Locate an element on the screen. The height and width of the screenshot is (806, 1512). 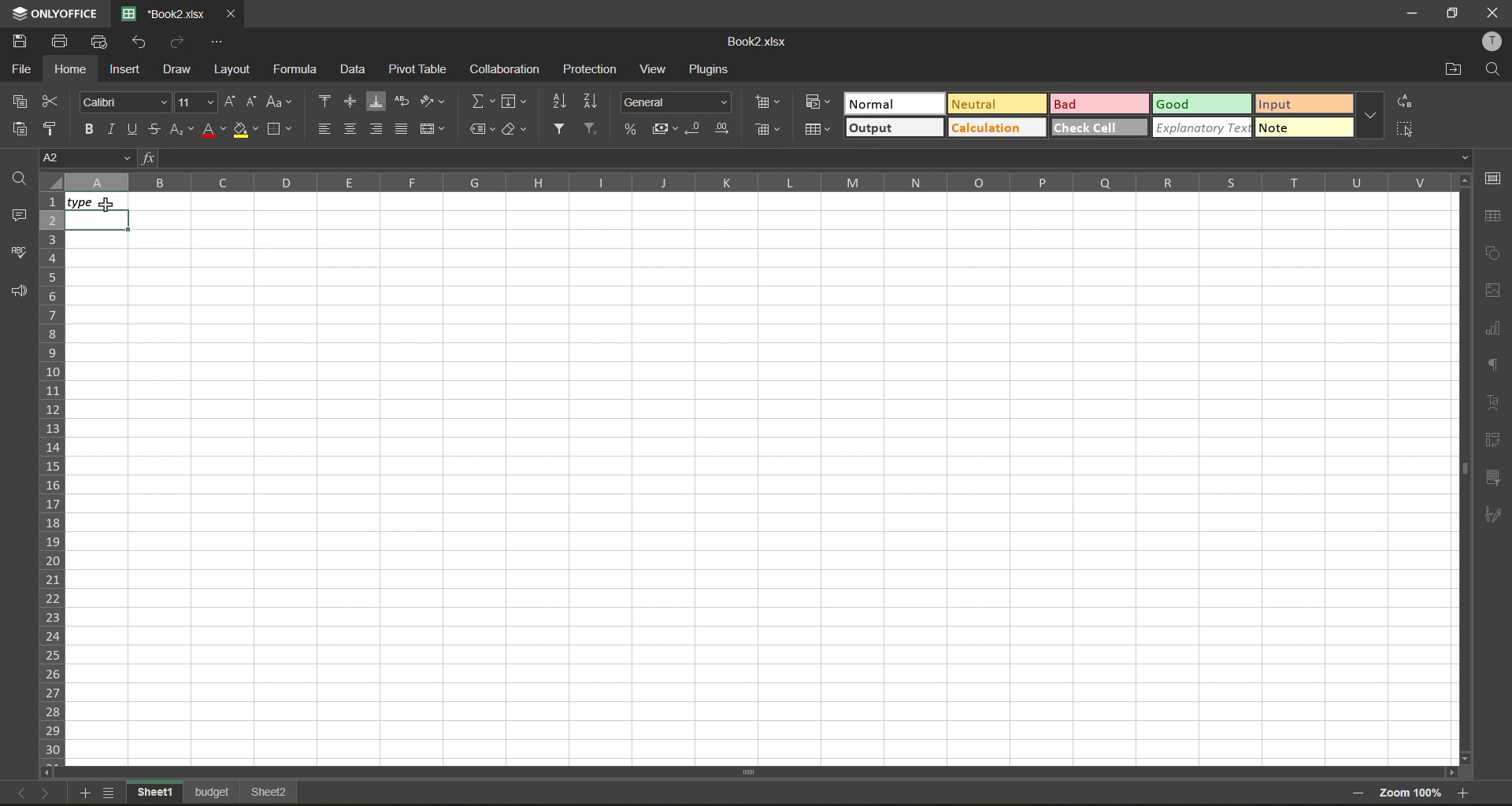
percent is located at coordinates (631, 131).